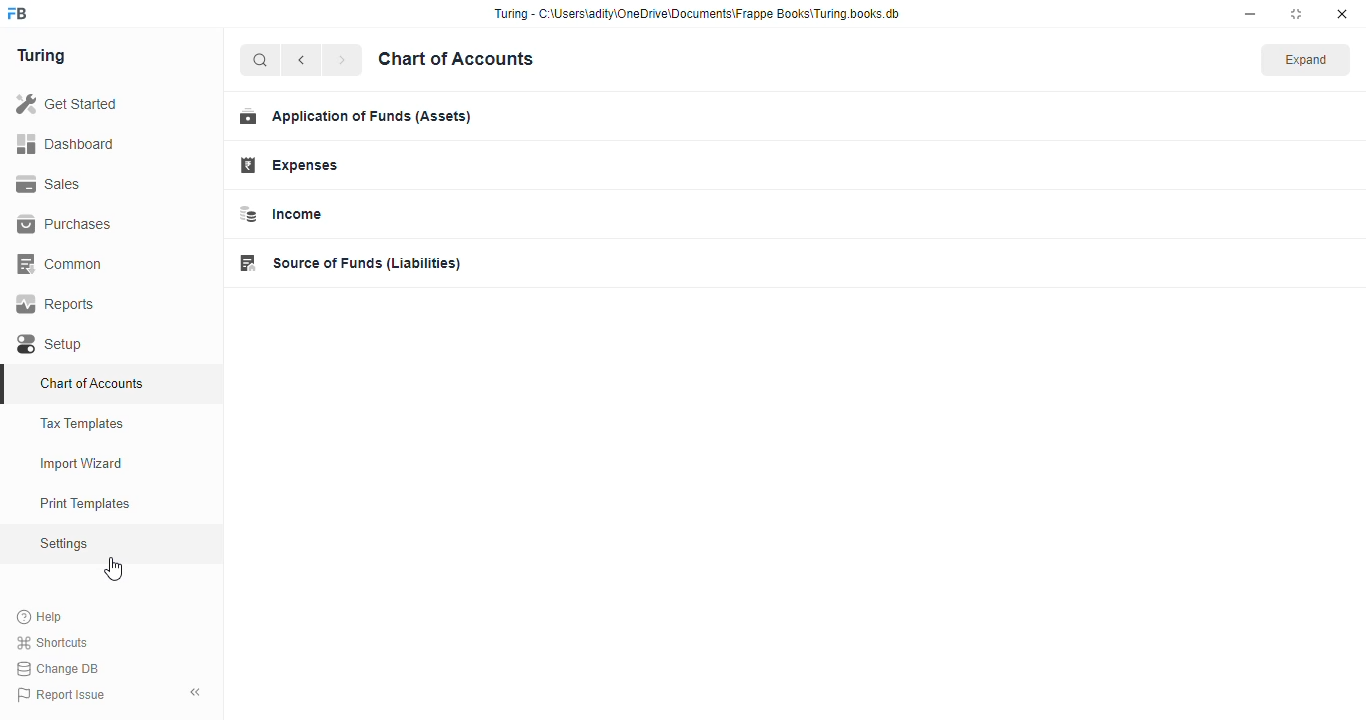  I want to click on Purchases, so click(99, 223).